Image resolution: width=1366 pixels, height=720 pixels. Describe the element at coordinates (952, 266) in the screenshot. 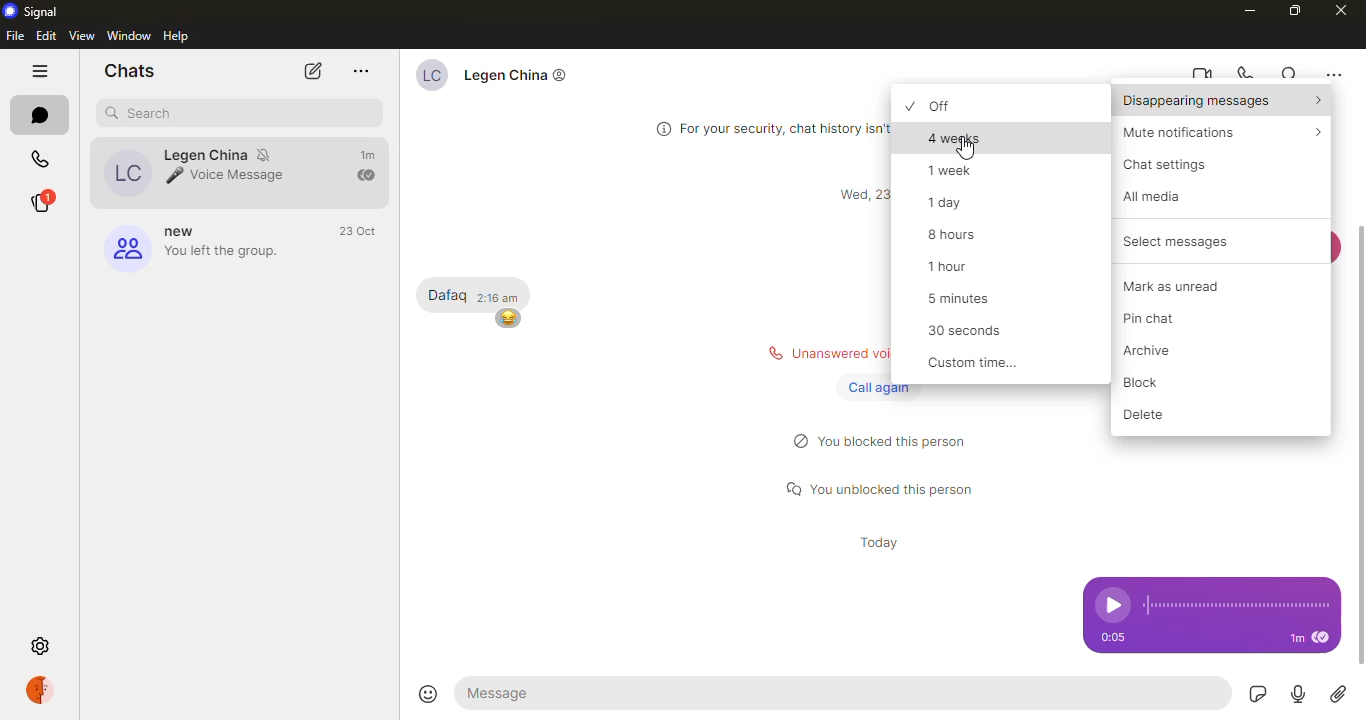

I see `1 hour` at that location.